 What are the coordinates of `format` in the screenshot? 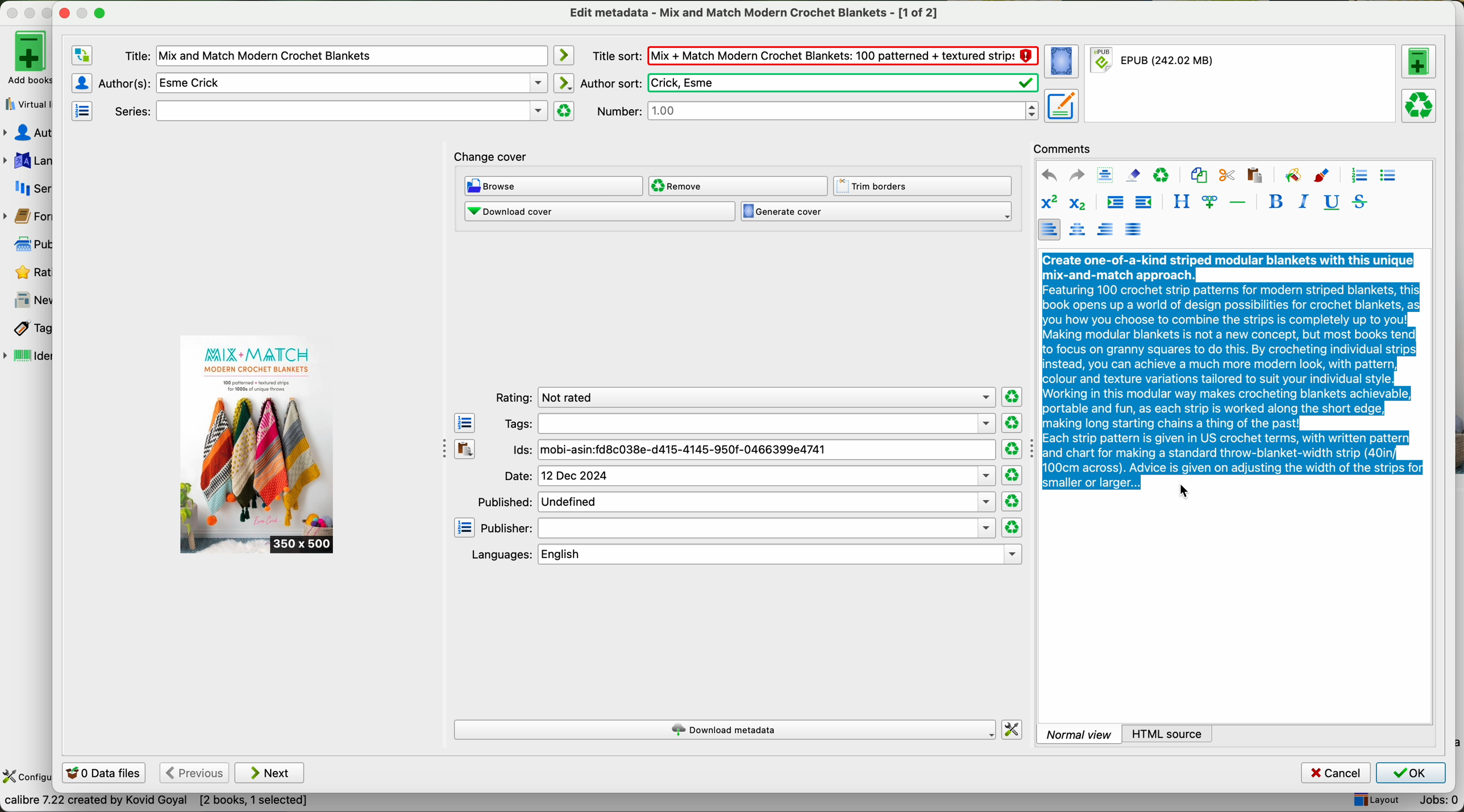 It's located at (1242, 84).